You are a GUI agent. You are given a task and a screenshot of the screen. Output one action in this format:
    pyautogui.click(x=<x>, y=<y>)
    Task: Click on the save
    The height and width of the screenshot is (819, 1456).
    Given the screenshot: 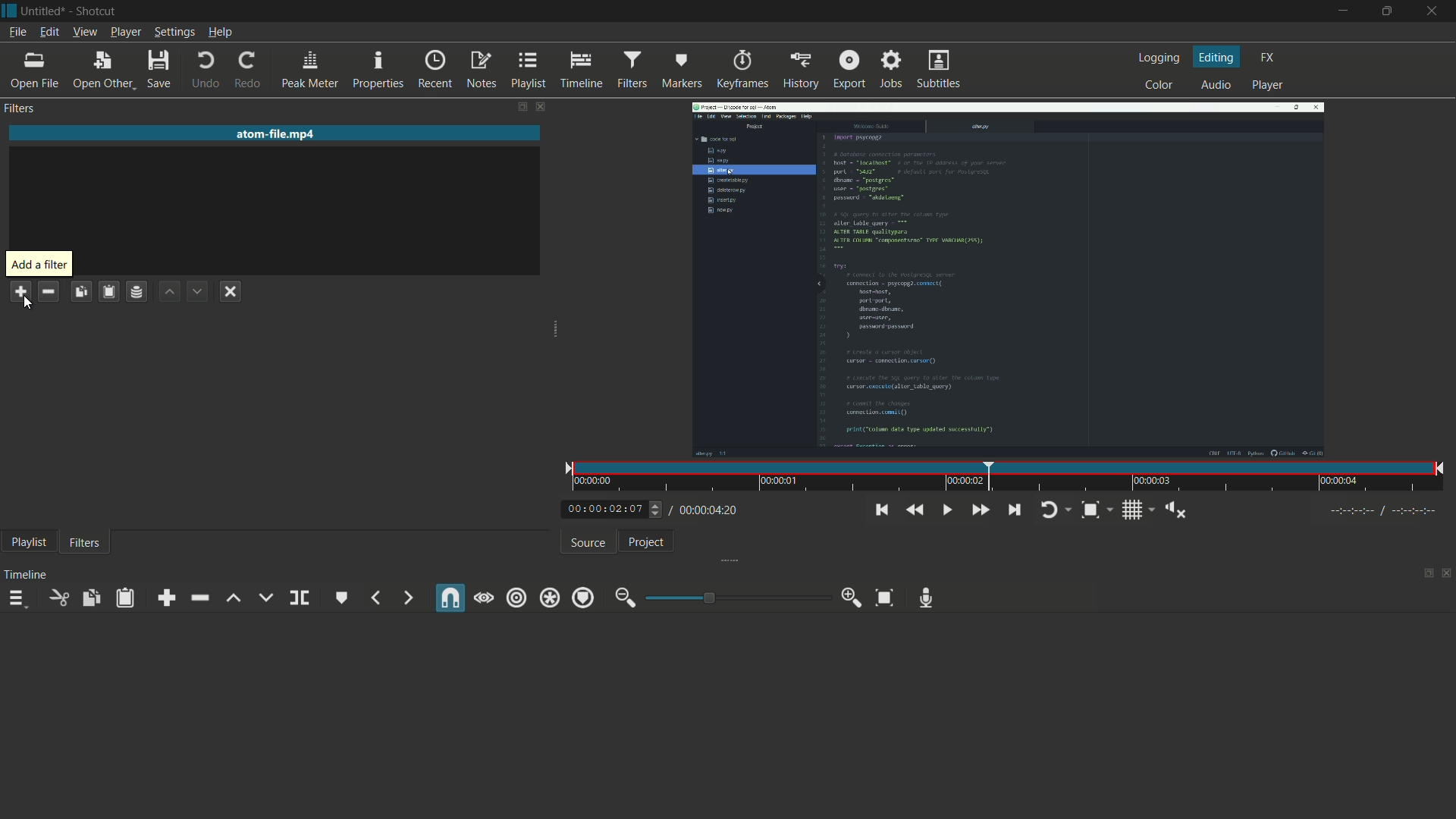 What is the action you would take?
    pyautogui.click(x=160, y=69)
    